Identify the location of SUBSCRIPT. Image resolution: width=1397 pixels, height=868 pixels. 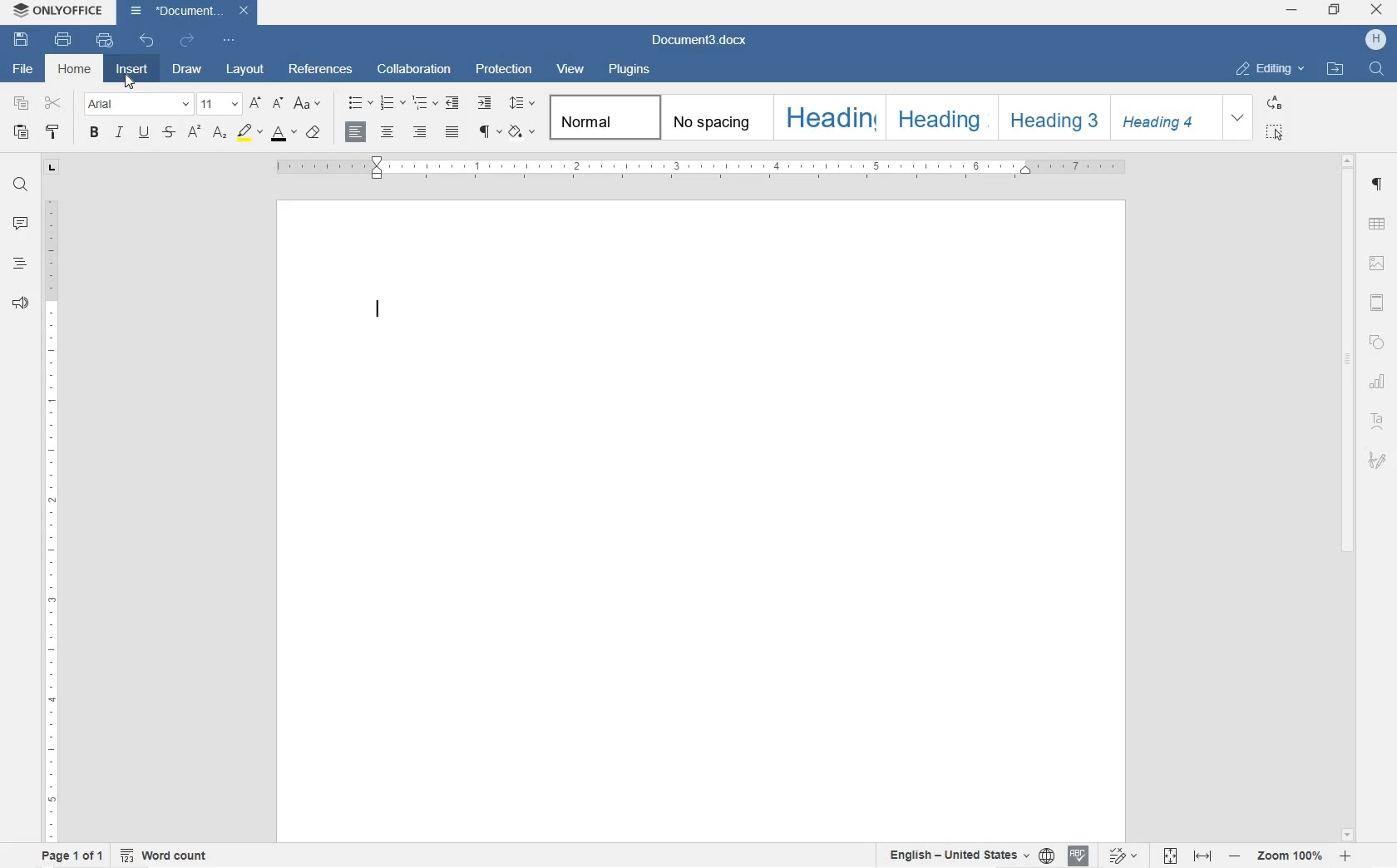
(220, 133).